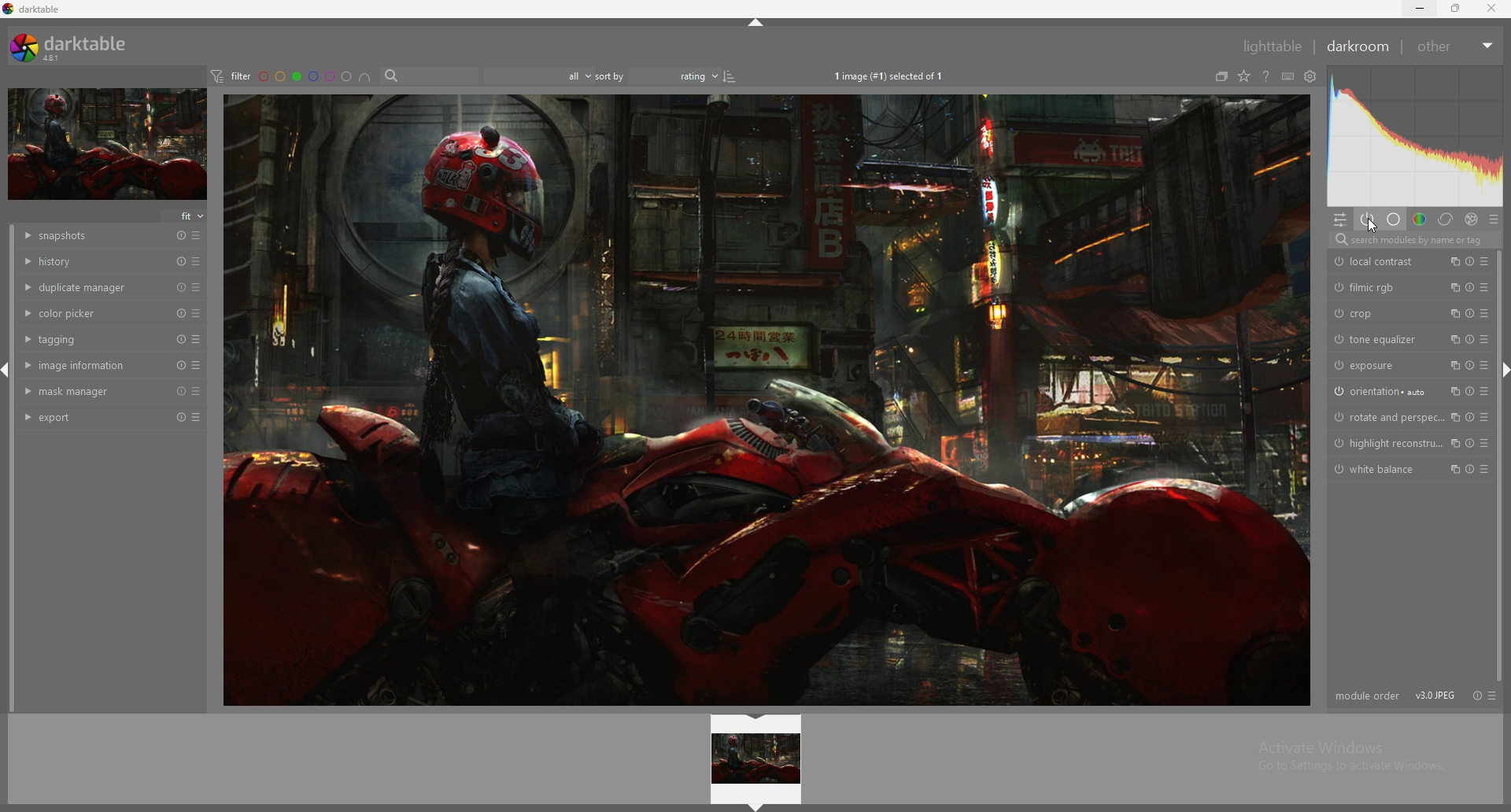 Image resolution: width=1511 pixels, height=812 pixels. I want to click on correct, so click(1444, 220).